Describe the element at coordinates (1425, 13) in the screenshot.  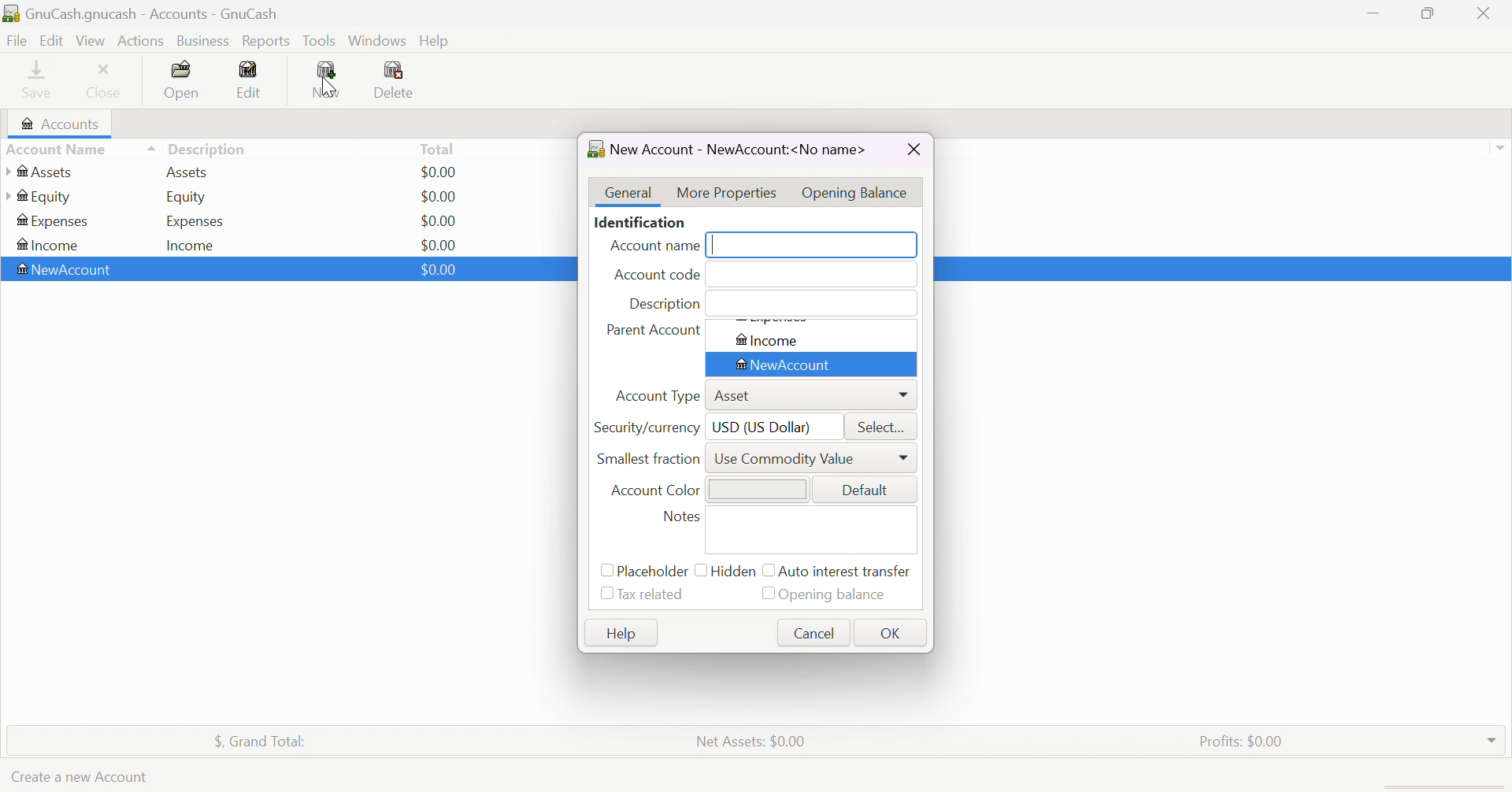
I see `Restore Down` at that location.